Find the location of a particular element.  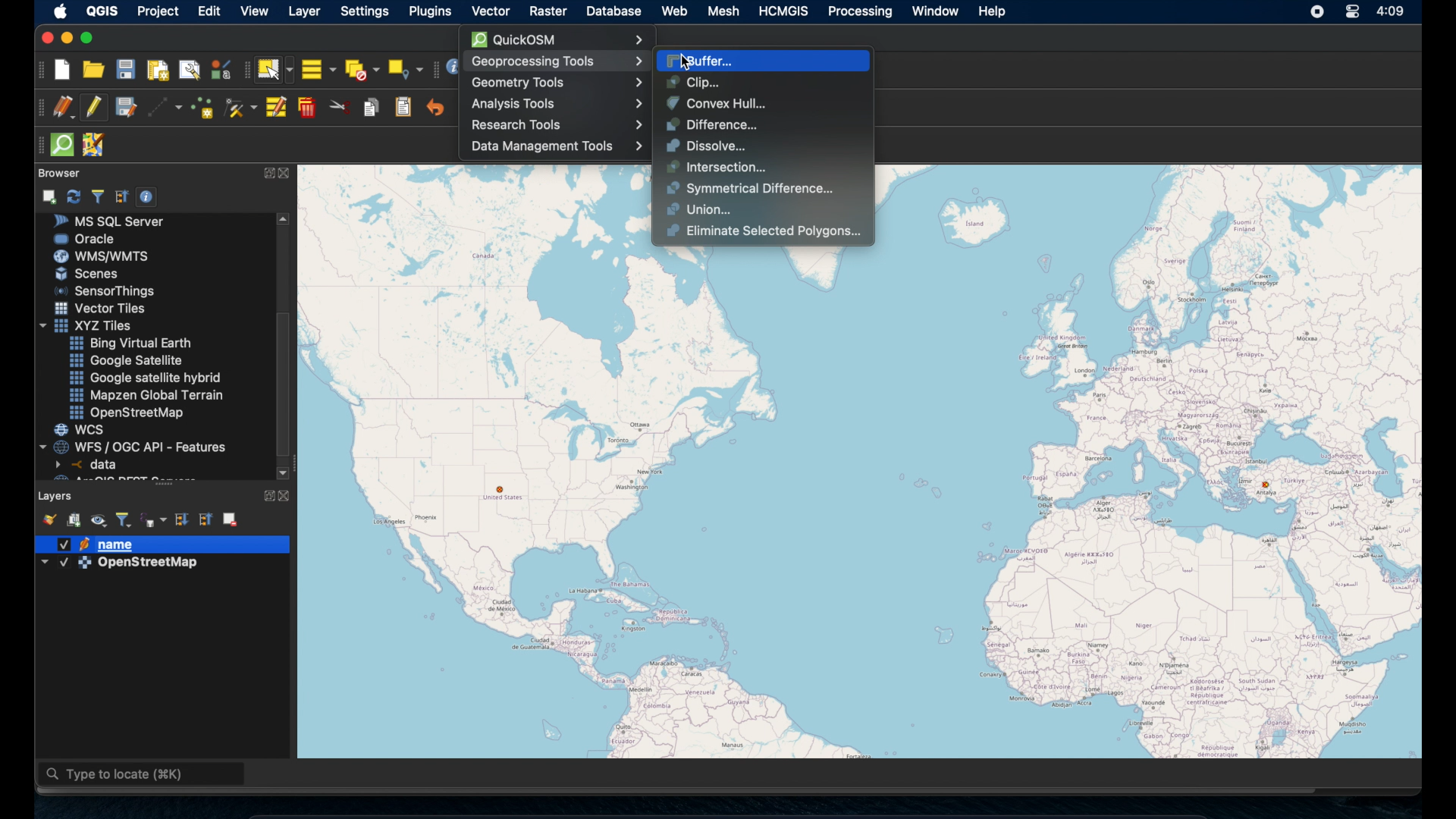

maximize is located at coordinates (90, 38).